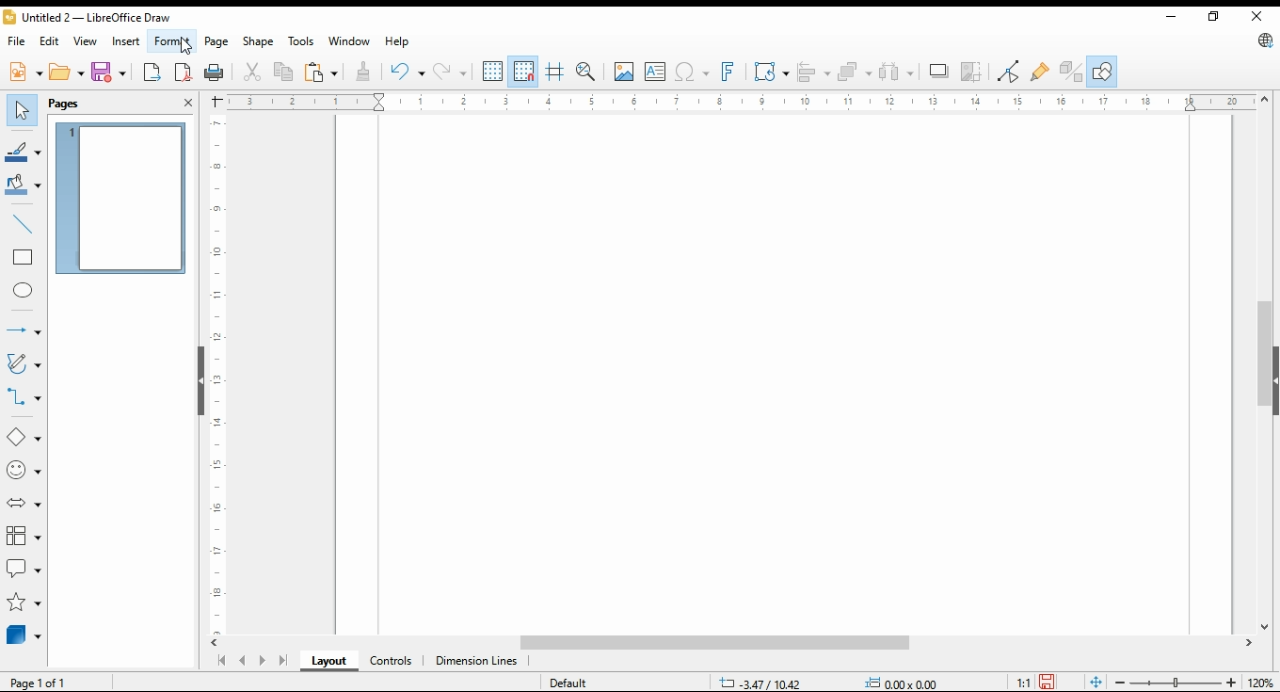  Describe the element at coordinates (24, 602) in the screenshot. I see `stars and banners` at that location.